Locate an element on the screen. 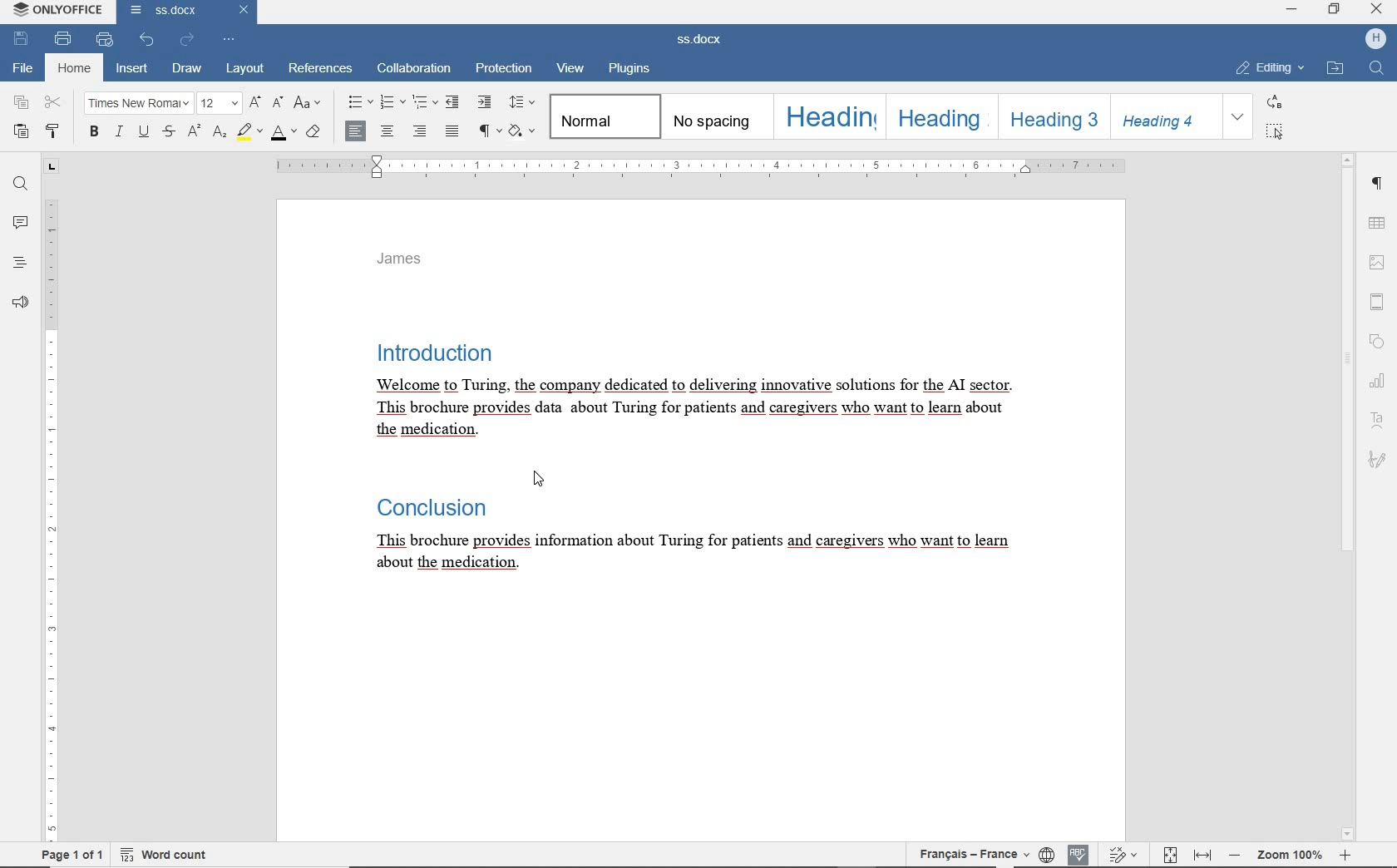 The image size is (1397, 868). COPY is located at coordinates (20, 104).